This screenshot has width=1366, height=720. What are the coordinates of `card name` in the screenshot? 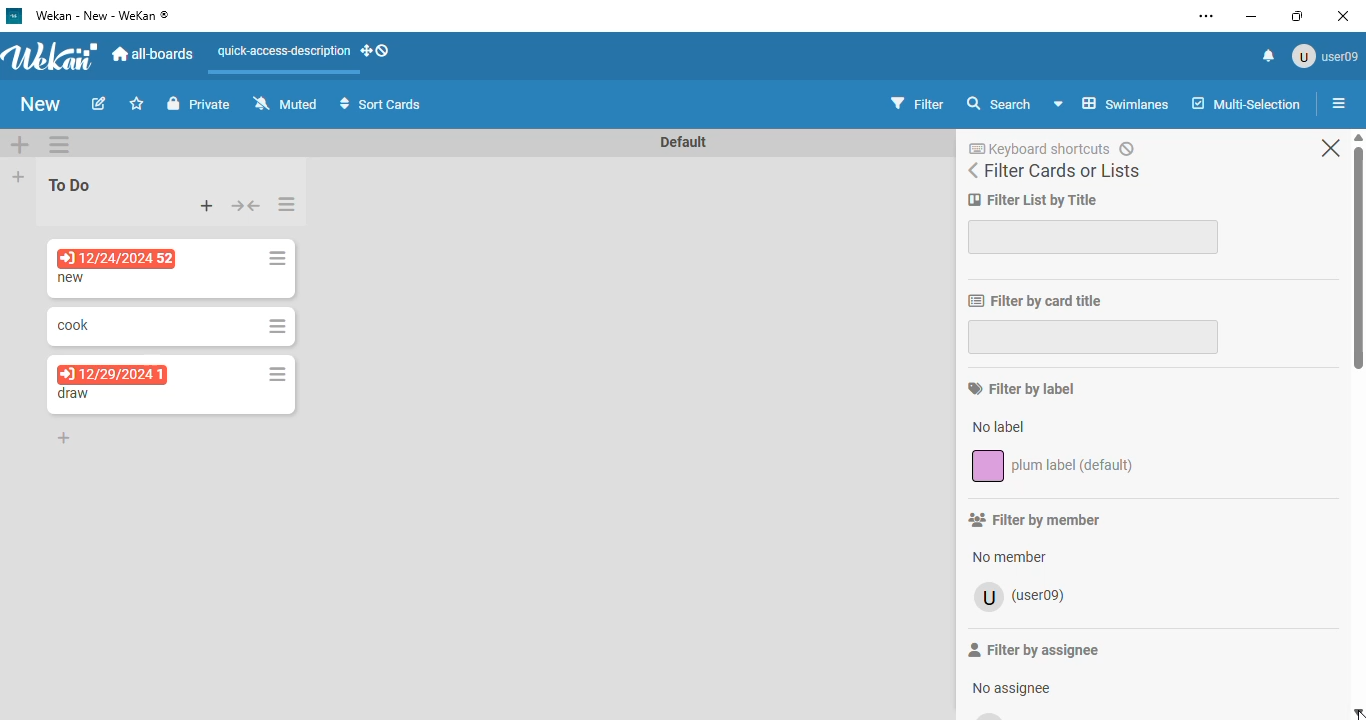 It's located at (73, 394).